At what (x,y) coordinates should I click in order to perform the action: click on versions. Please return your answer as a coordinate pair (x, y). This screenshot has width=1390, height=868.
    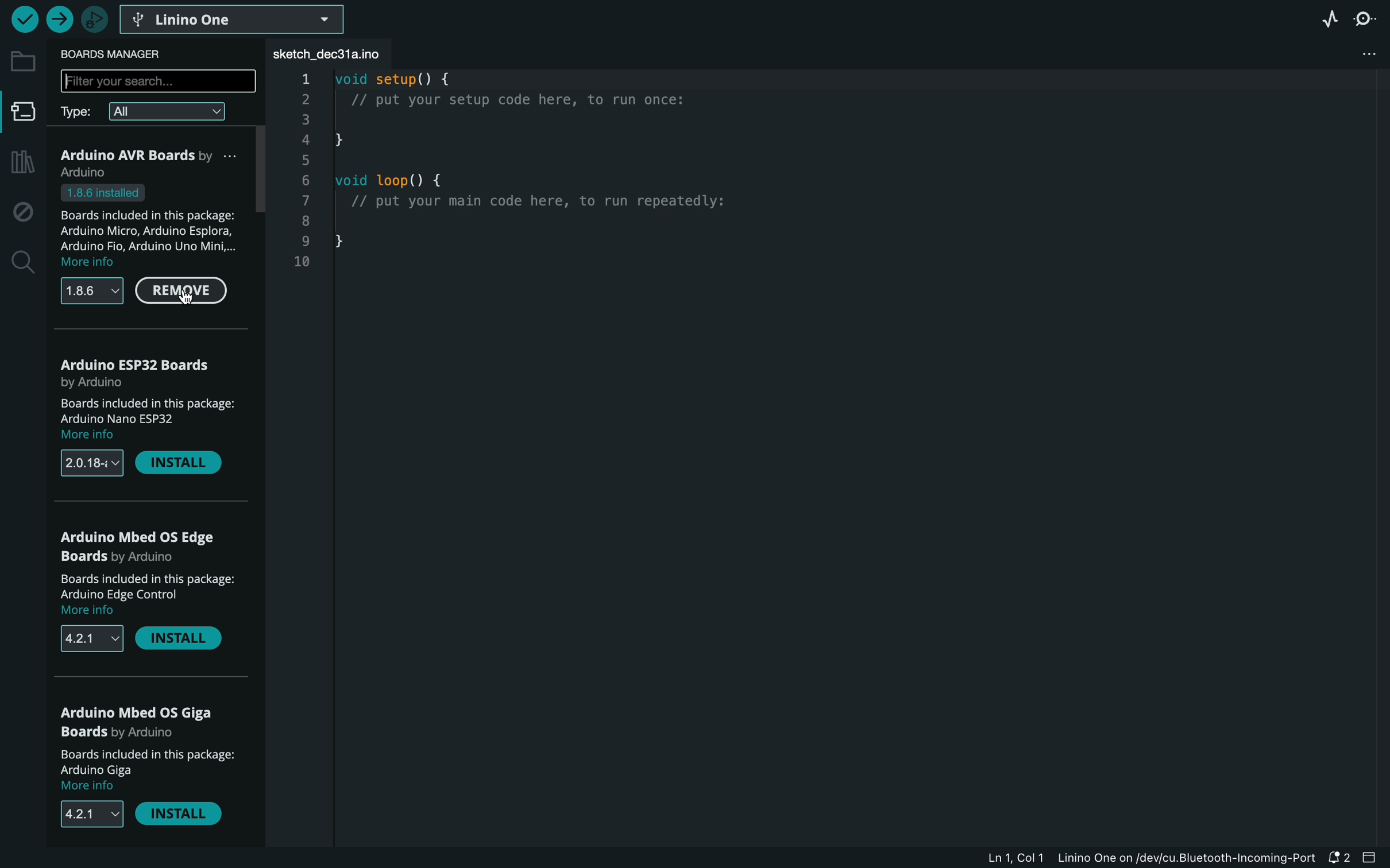
    Looking at the image, I should click on (91, 292).